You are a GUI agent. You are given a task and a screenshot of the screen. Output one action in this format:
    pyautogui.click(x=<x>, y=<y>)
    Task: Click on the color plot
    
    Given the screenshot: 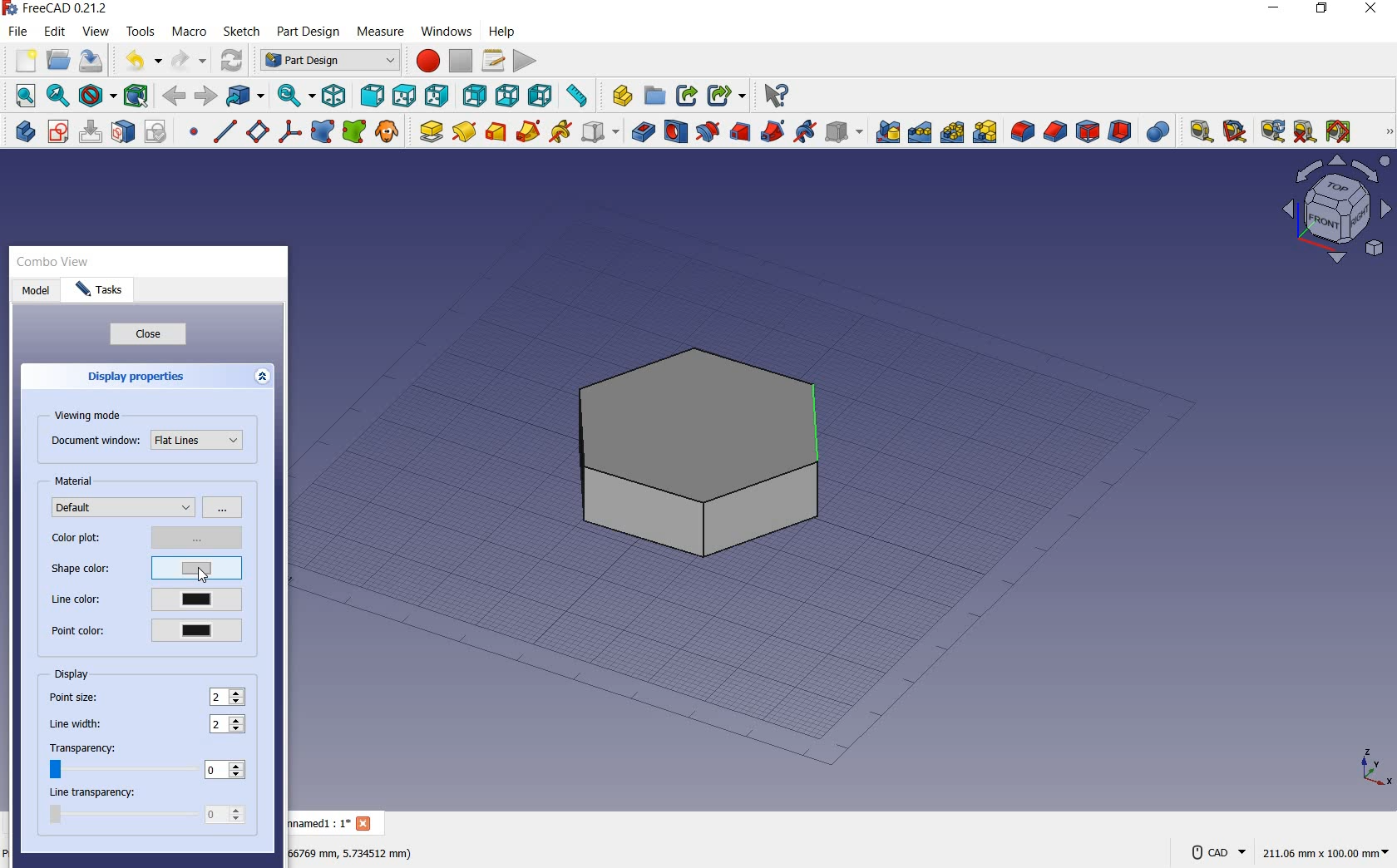 What is the action you would take?
    pyautogui.click(x=87, y=537)
    